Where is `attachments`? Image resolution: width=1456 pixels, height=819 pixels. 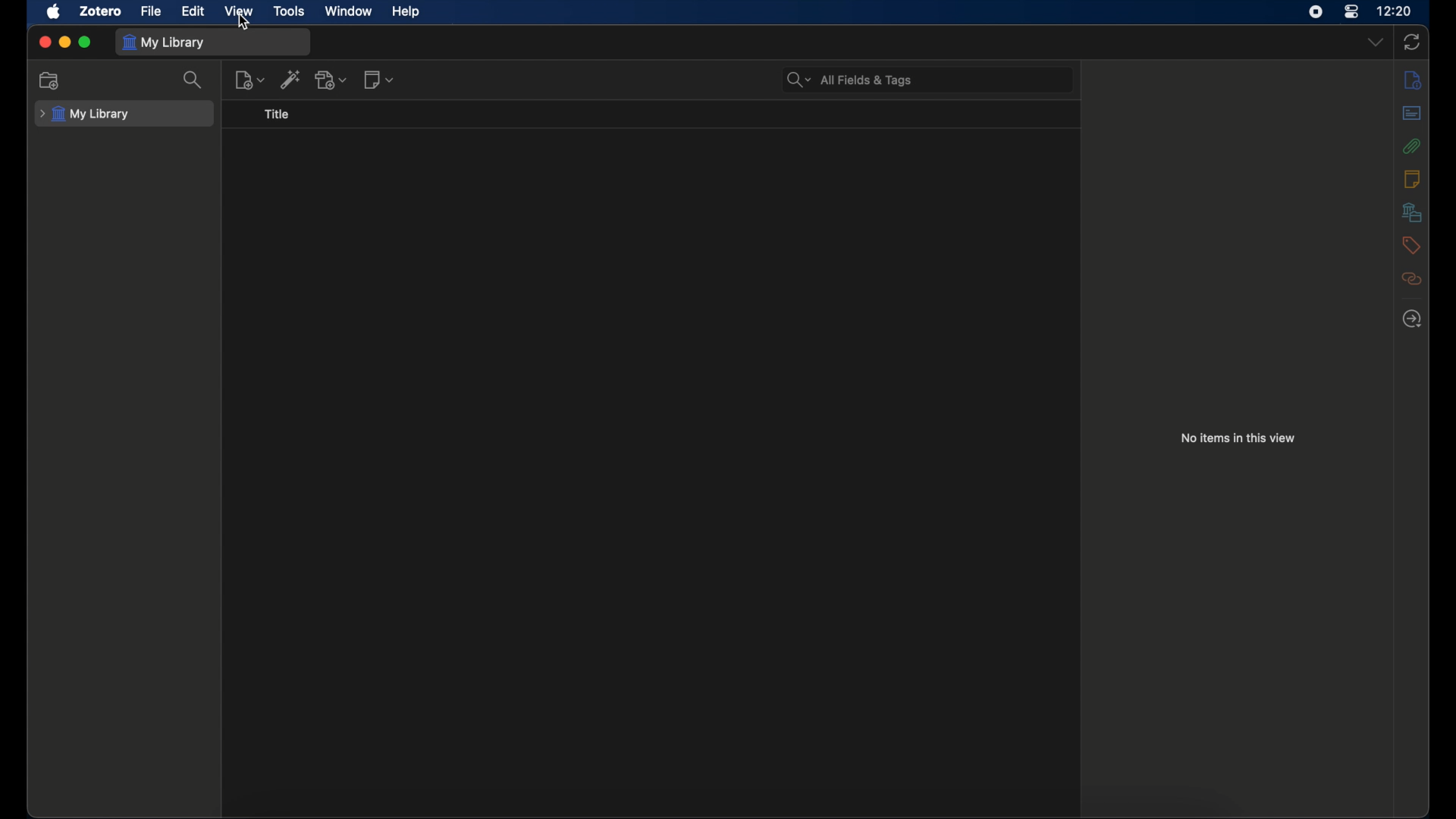 attachments is located at coordinates (1410, 146).